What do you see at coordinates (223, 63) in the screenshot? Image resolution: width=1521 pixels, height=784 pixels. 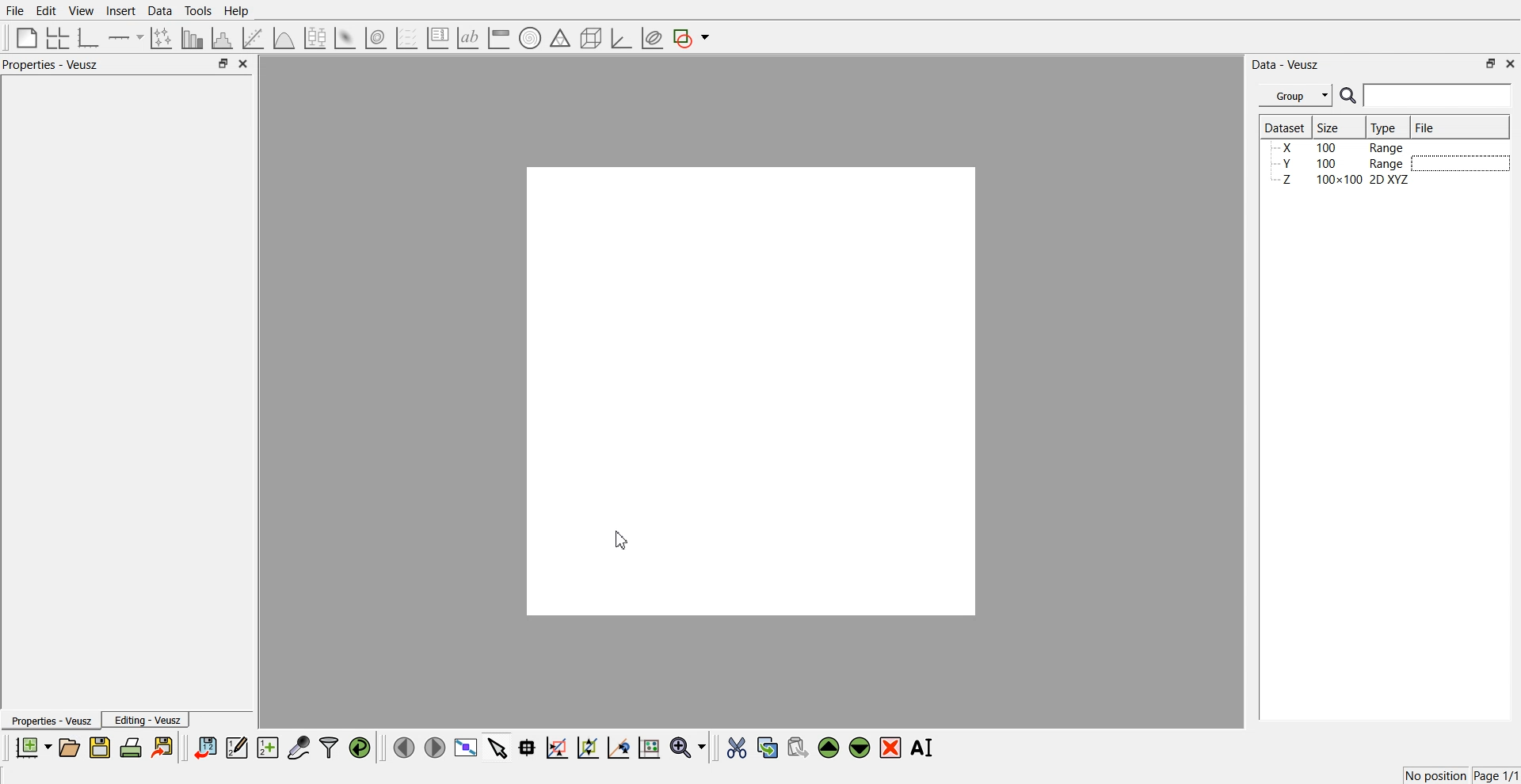 I see `Maximize` at bounding box center [223, 63].